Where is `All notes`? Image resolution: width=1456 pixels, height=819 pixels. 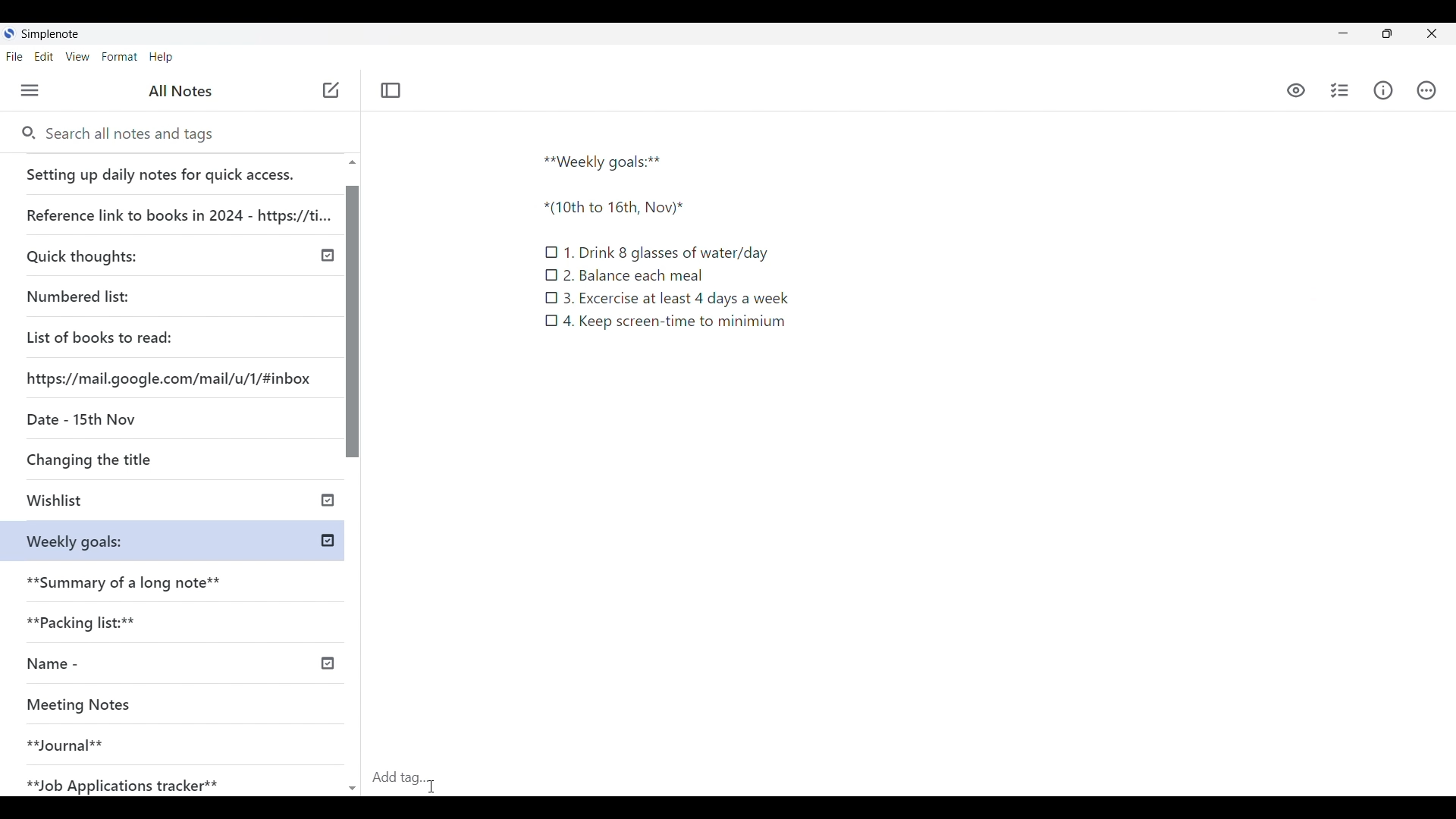 All notes is located at coordinates (180, 91).